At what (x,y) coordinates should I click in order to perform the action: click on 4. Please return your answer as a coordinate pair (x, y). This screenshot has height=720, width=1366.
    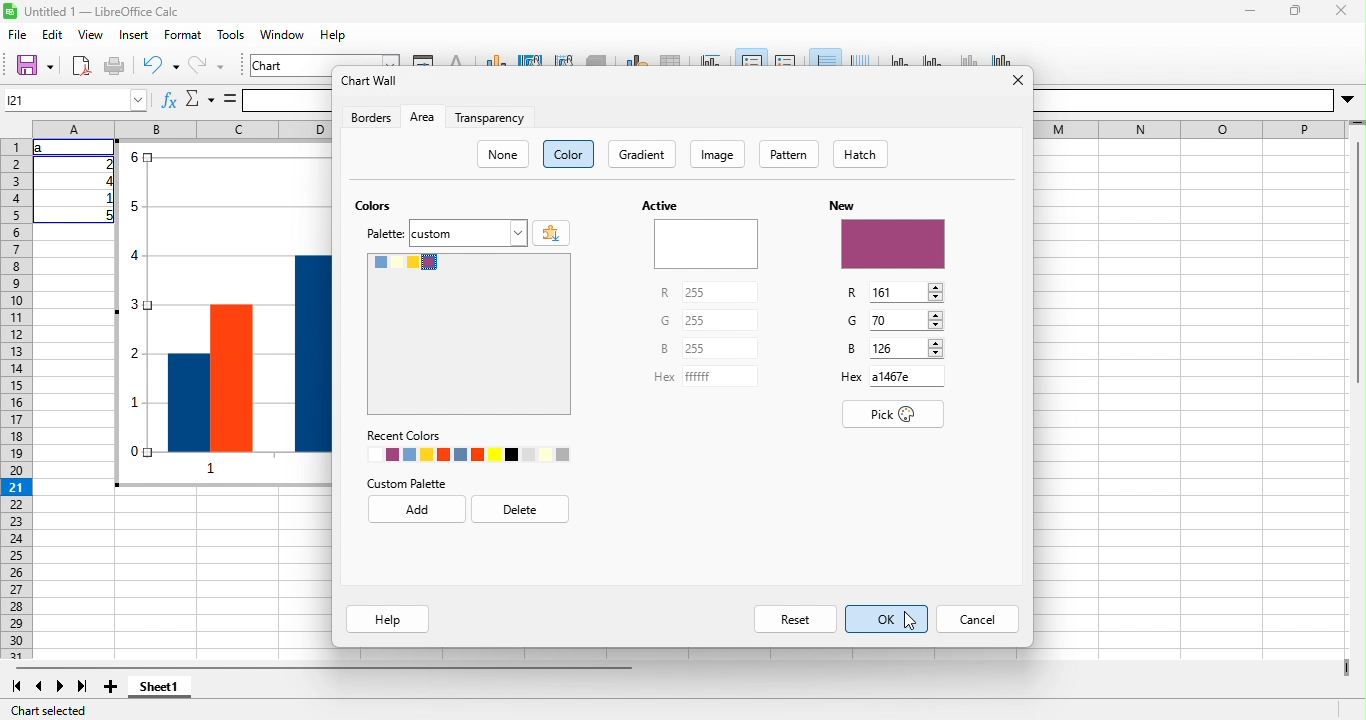
    Looking at the image, I should click on (106, 181).